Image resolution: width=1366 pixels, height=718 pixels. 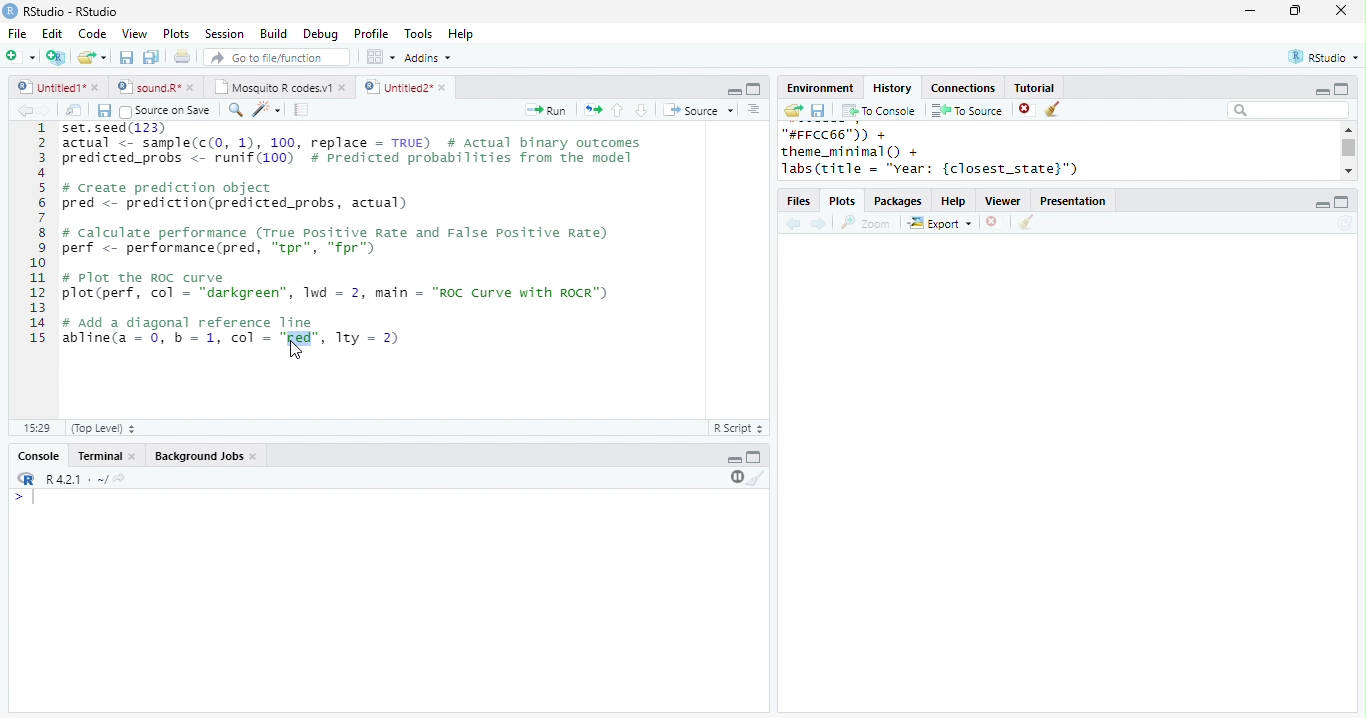 What do you see at coordinates (1249, 10) in the screenshot?
I see `minimize` at bounding box center [1249, 10].